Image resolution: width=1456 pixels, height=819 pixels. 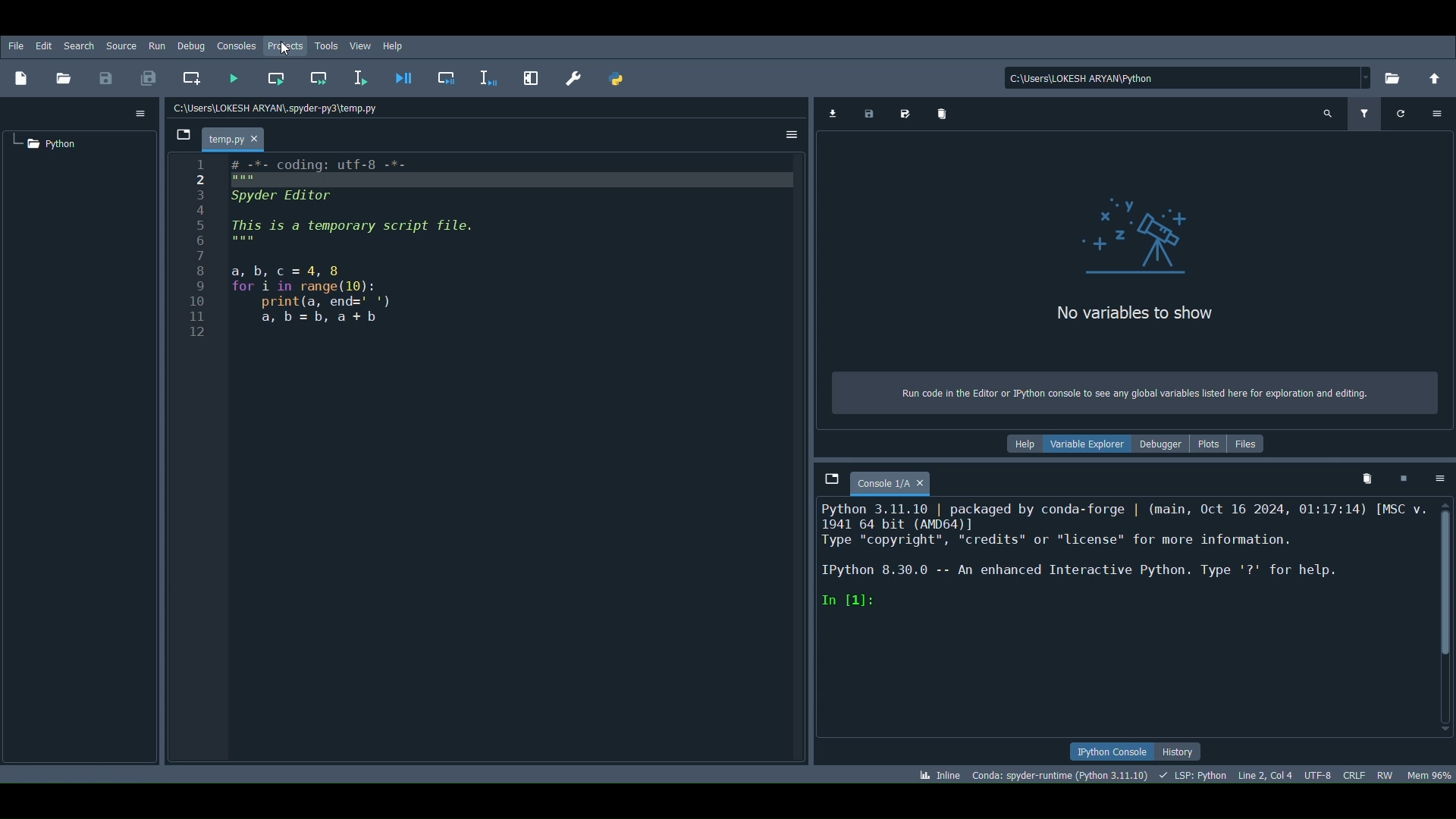 I want to click on Project name, so click(x=49, y=143).